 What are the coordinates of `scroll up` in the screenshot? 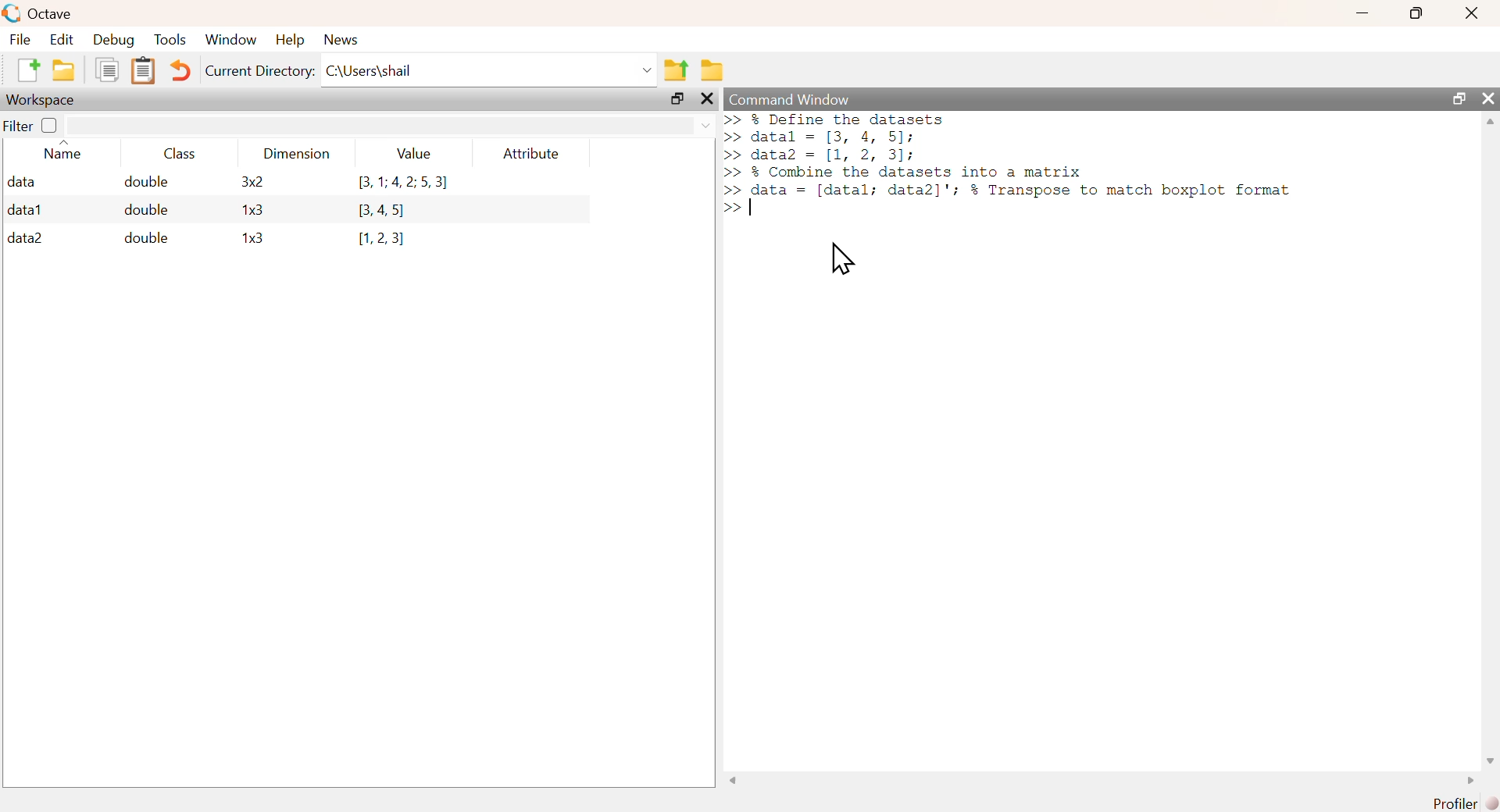 It's located at (1488, 124).